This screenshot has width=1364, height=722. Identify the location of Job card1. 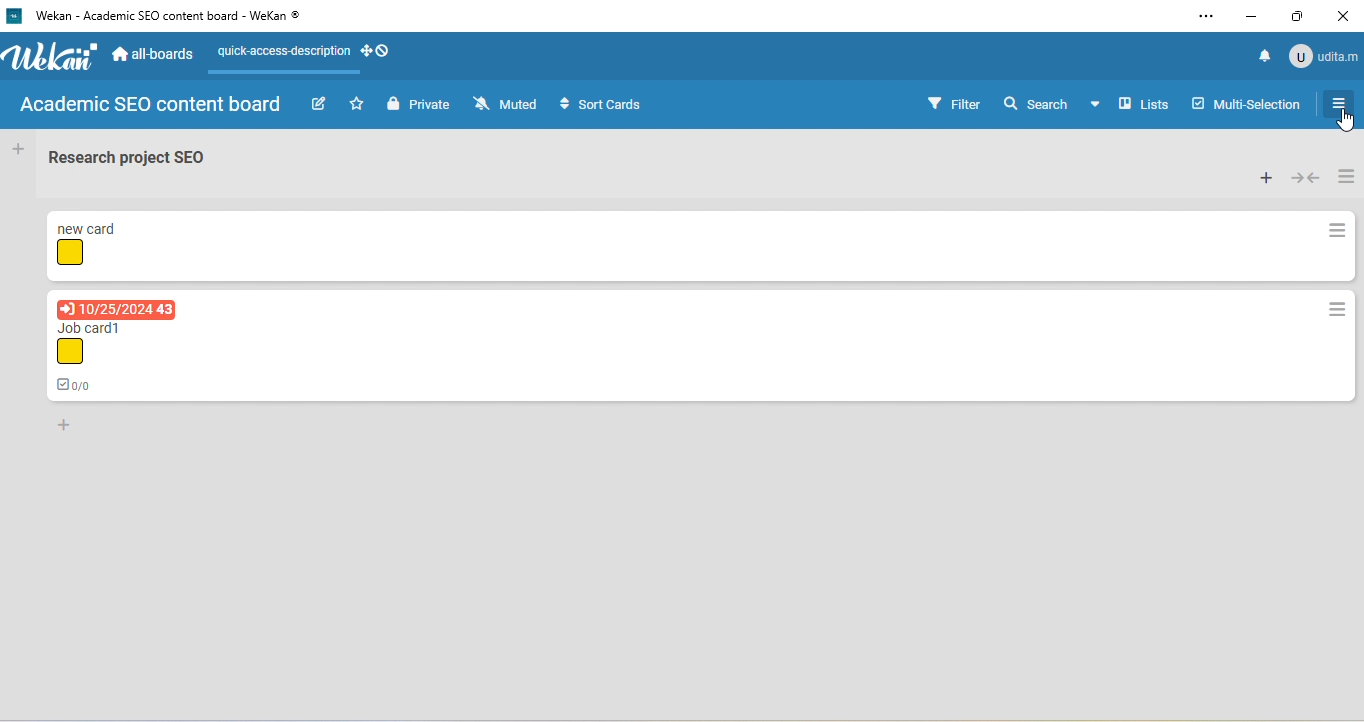
(97, 327).